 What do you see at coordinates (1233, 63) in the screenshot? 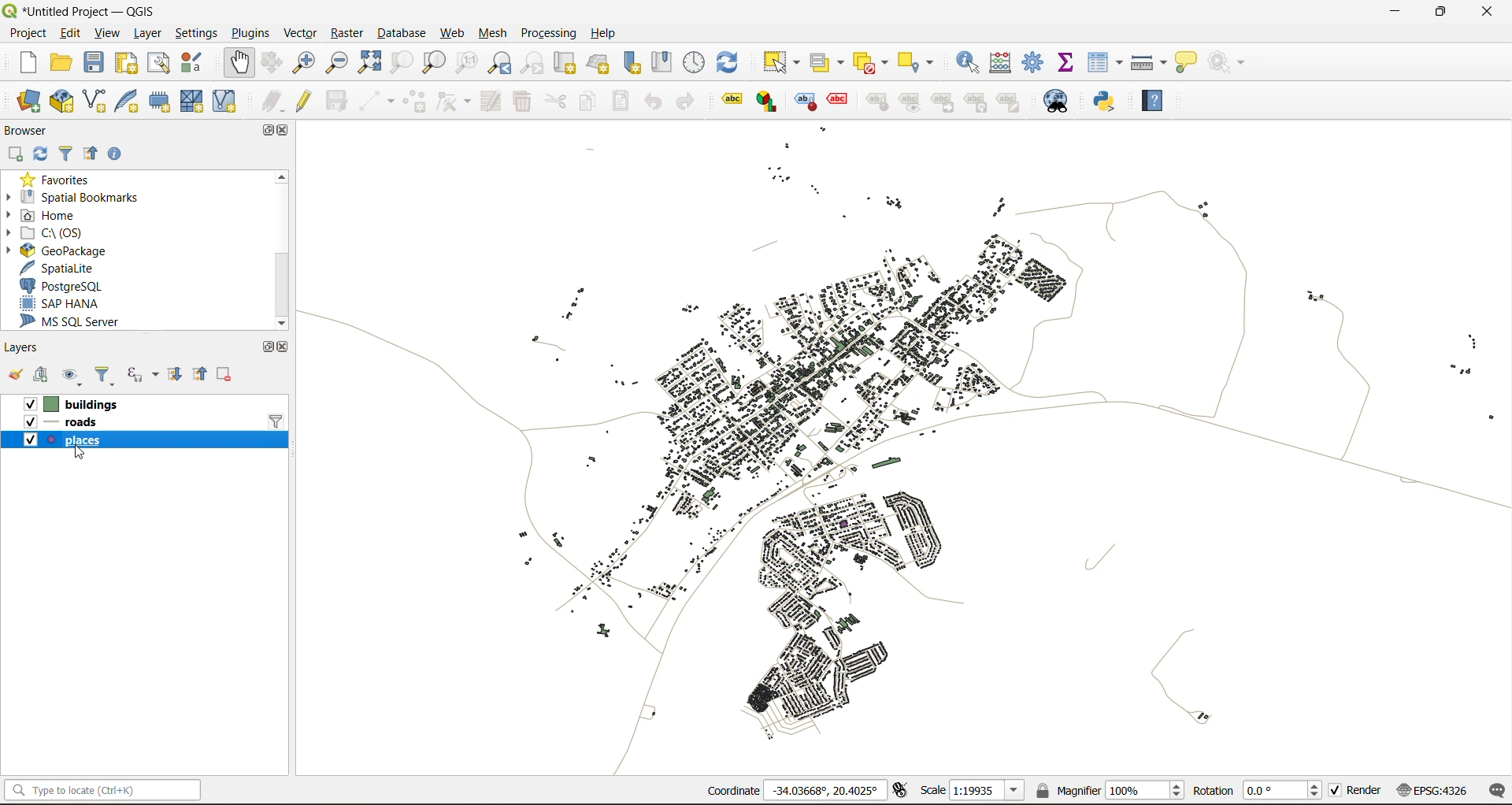
I see `no action` at bounding box center [1233, 63].